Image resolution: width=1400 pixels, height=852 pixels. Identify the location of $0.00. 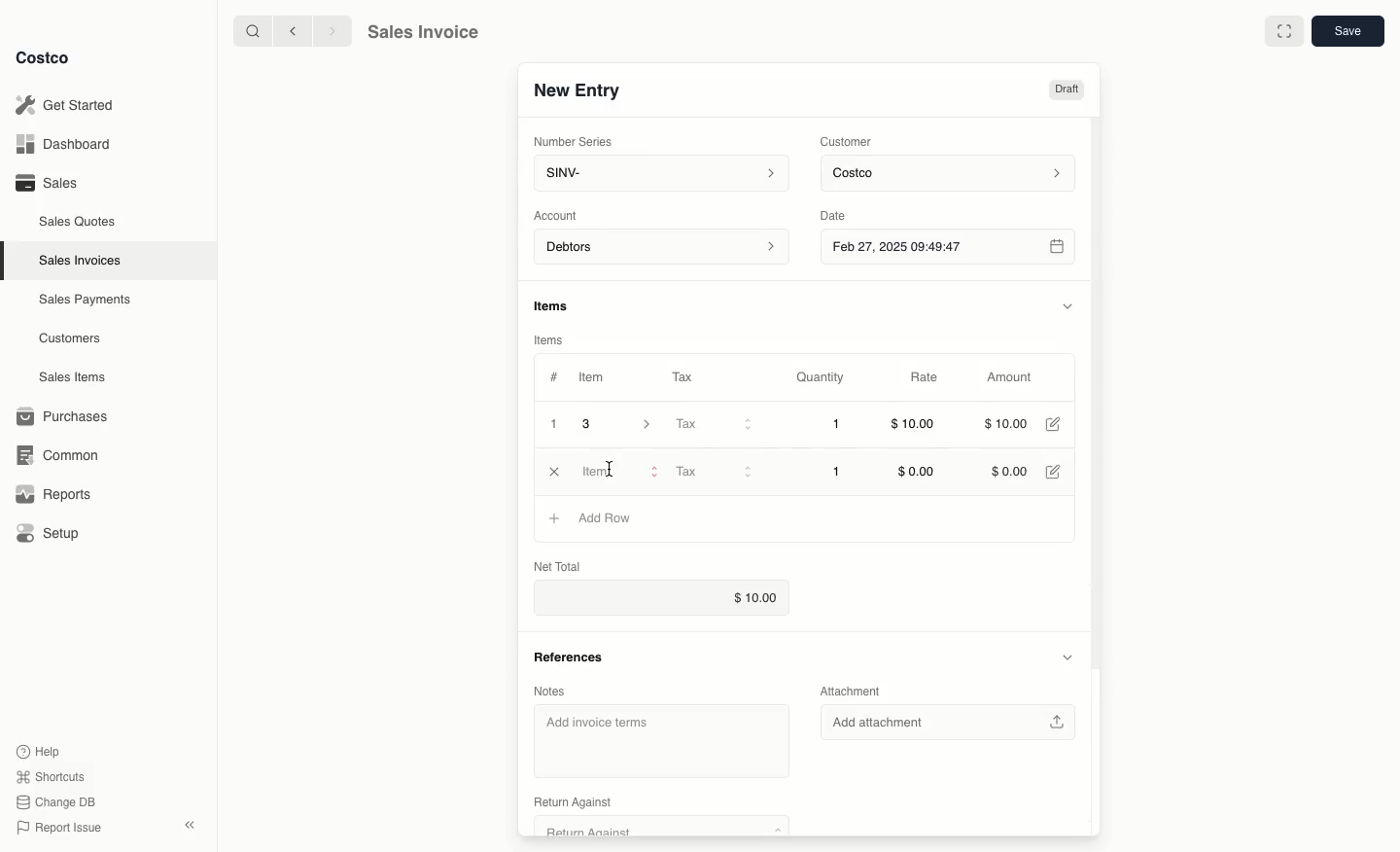
(1009, 473).